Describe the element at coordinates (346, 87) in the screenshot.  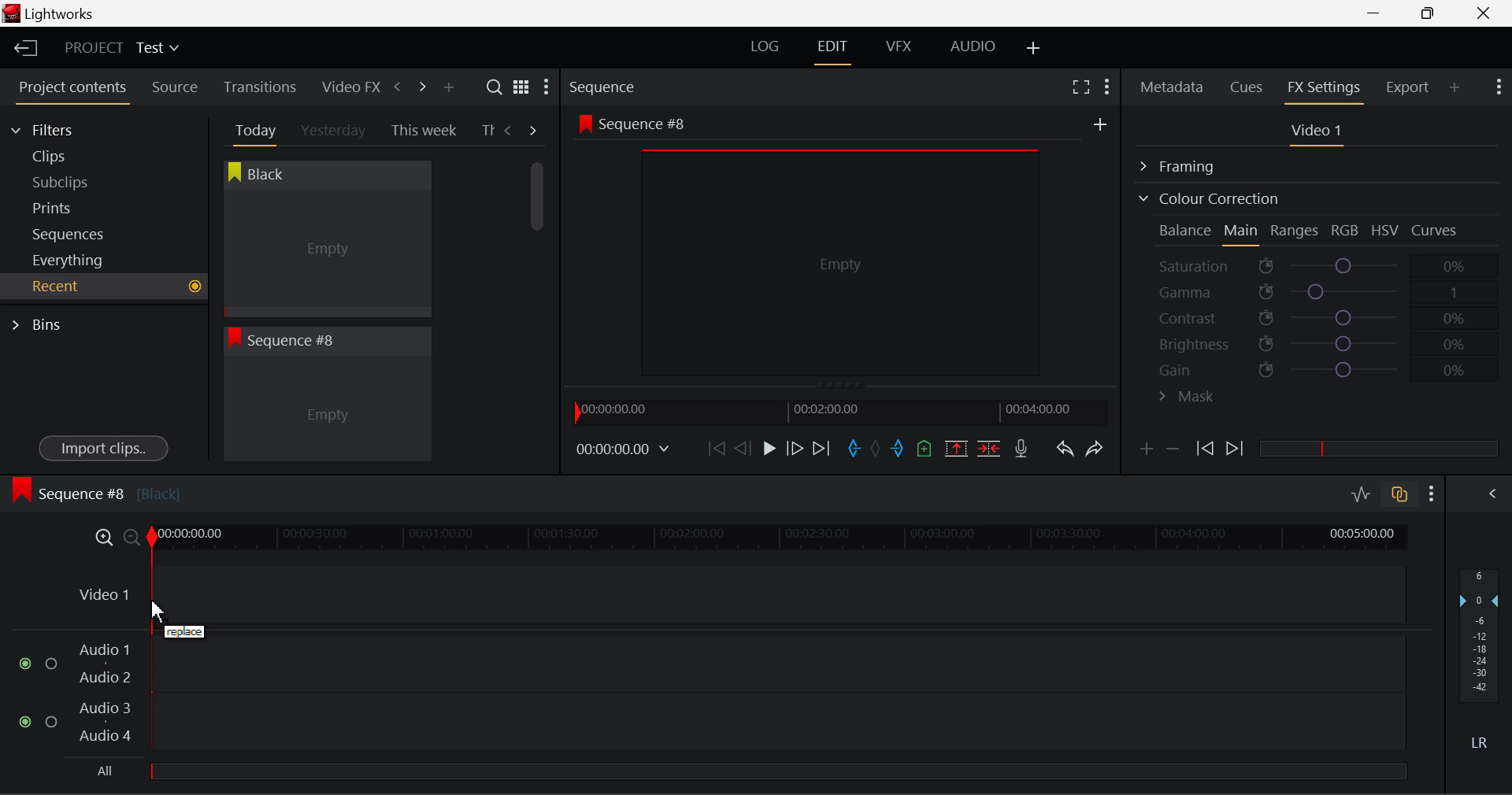
I see `Video FX` at that location.